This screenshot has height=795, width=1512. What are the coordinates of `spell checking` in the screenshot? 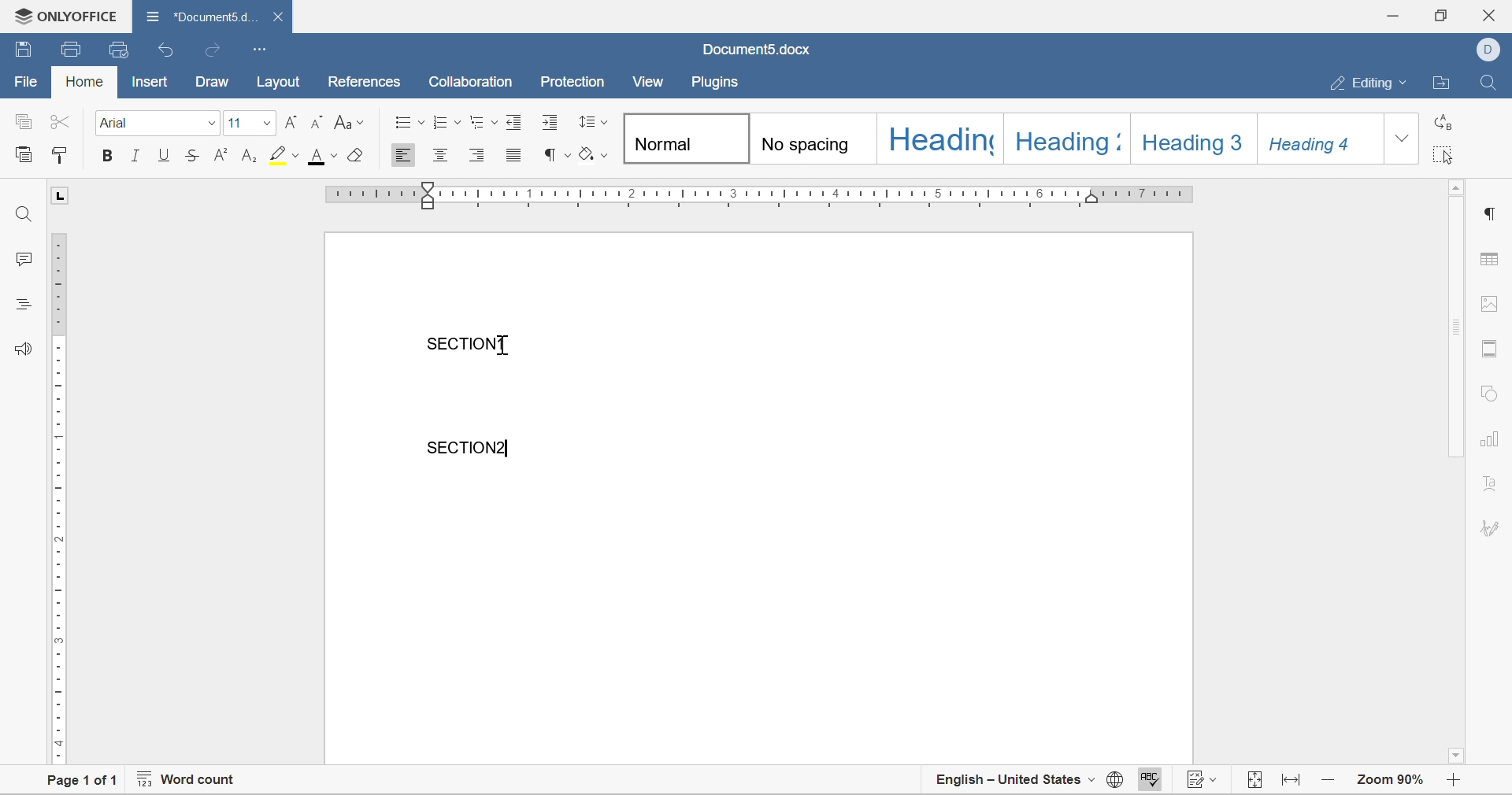 It's located at (1147, 782).